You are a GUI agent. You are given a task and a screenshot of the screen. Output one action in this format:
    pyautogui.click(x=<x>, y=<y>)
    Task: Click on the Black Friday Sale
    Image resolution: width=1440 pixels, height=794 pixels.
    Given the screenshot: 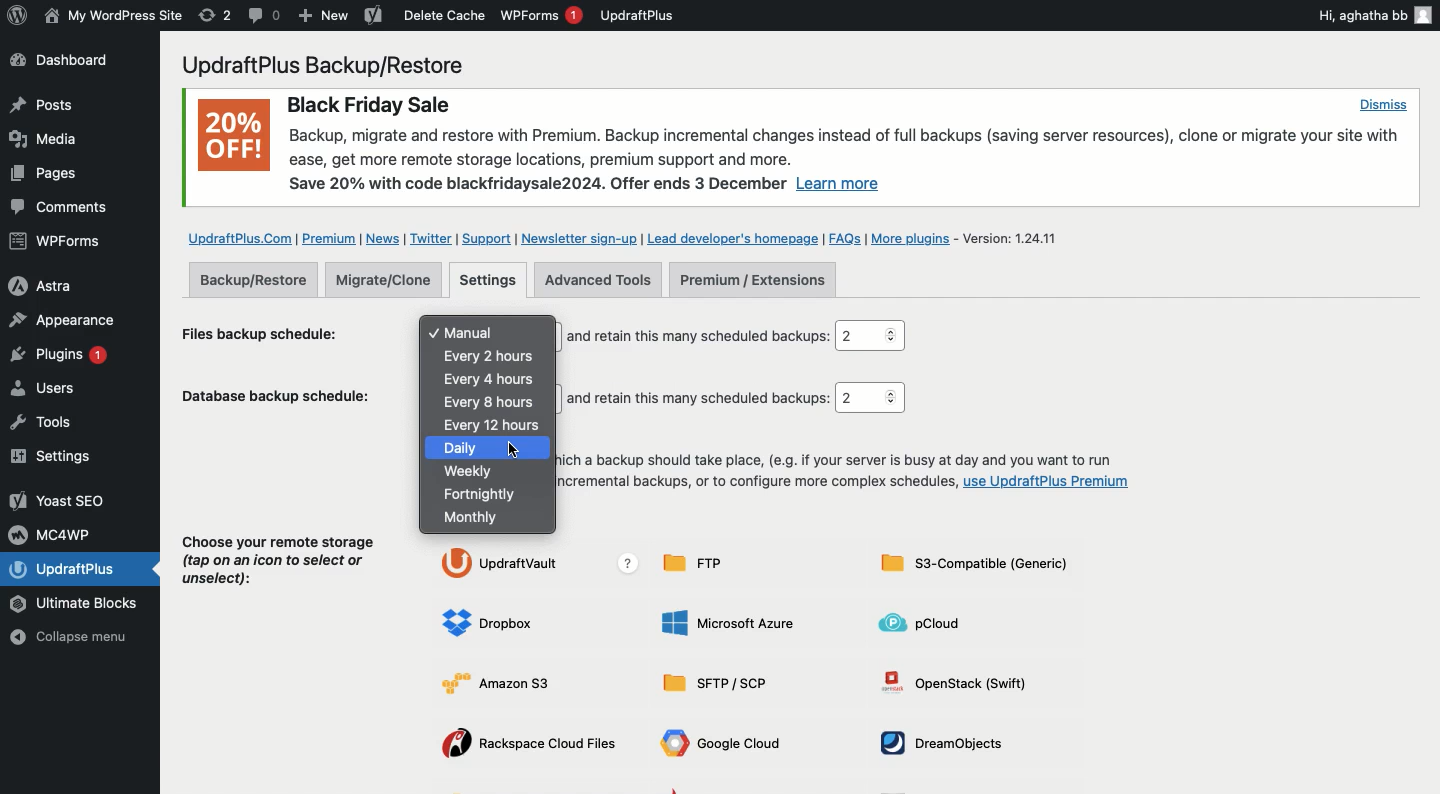 What is the action you would take?
    pyautogui.click(x=367, y=102)
    